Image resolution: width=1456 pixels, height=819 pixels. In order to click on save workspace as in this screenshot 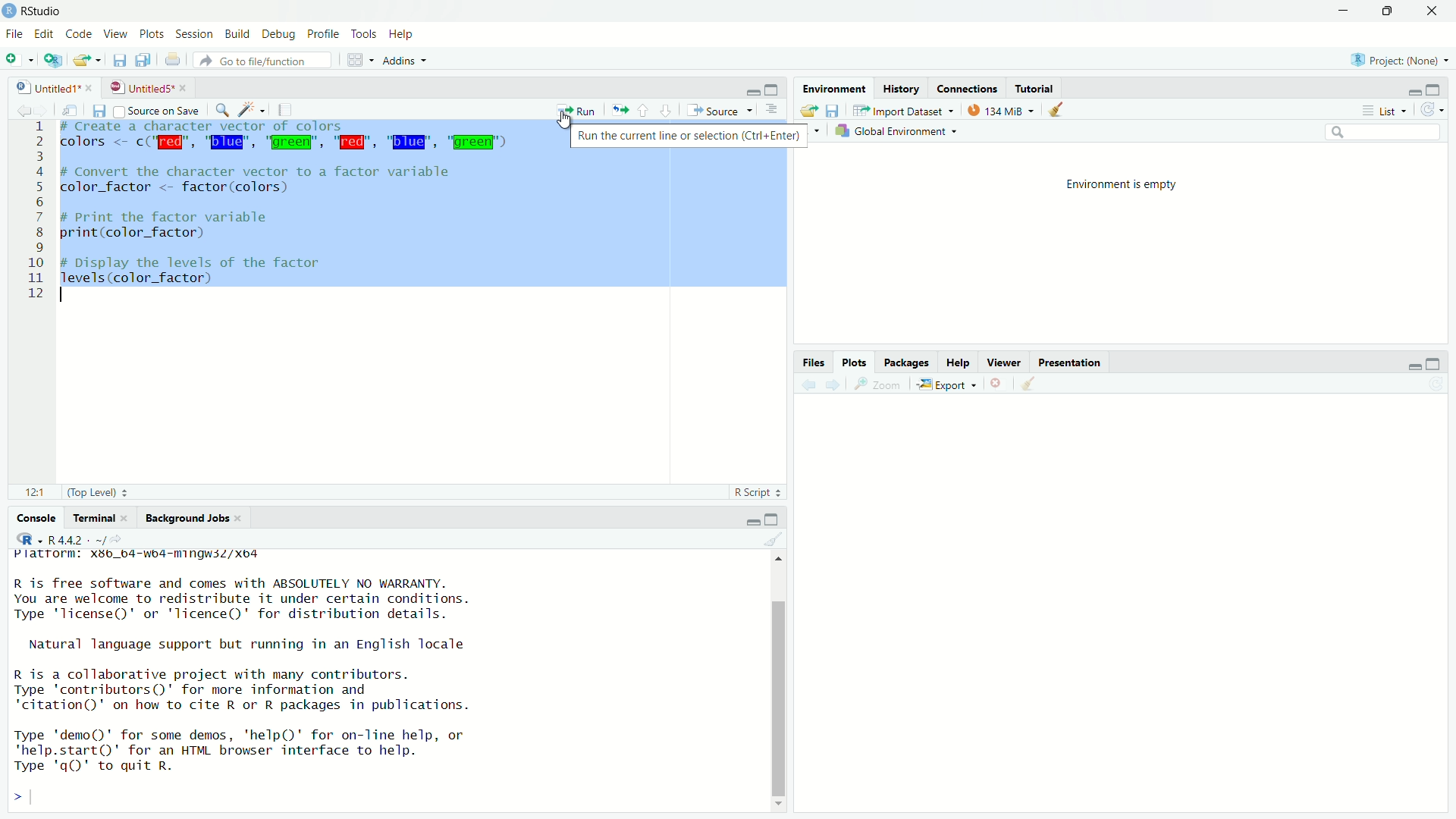, I will do `click(837, 111)`.